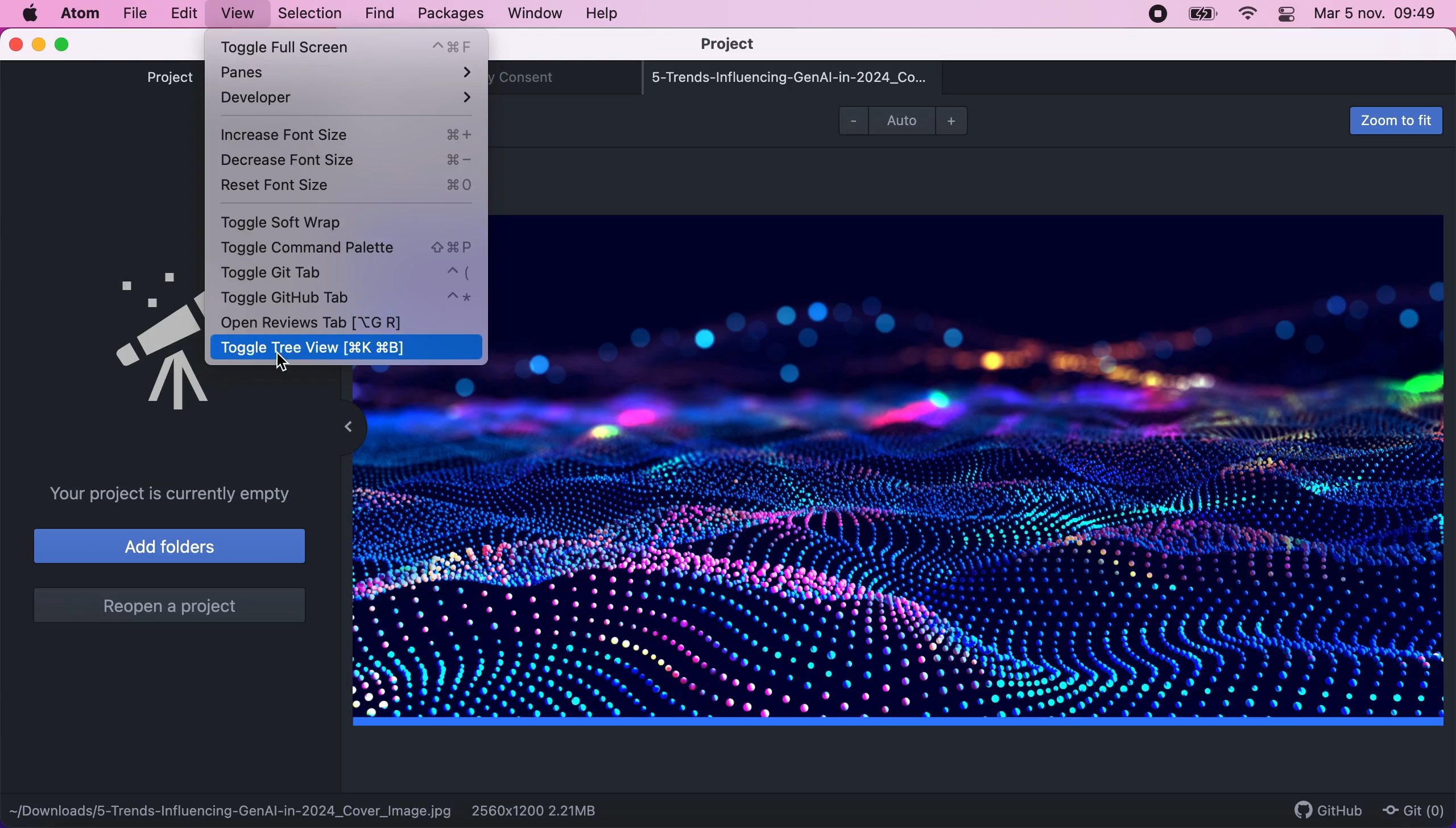 This screenshot has width=1456, height=828. I want to click on edit, so click(184, 13).